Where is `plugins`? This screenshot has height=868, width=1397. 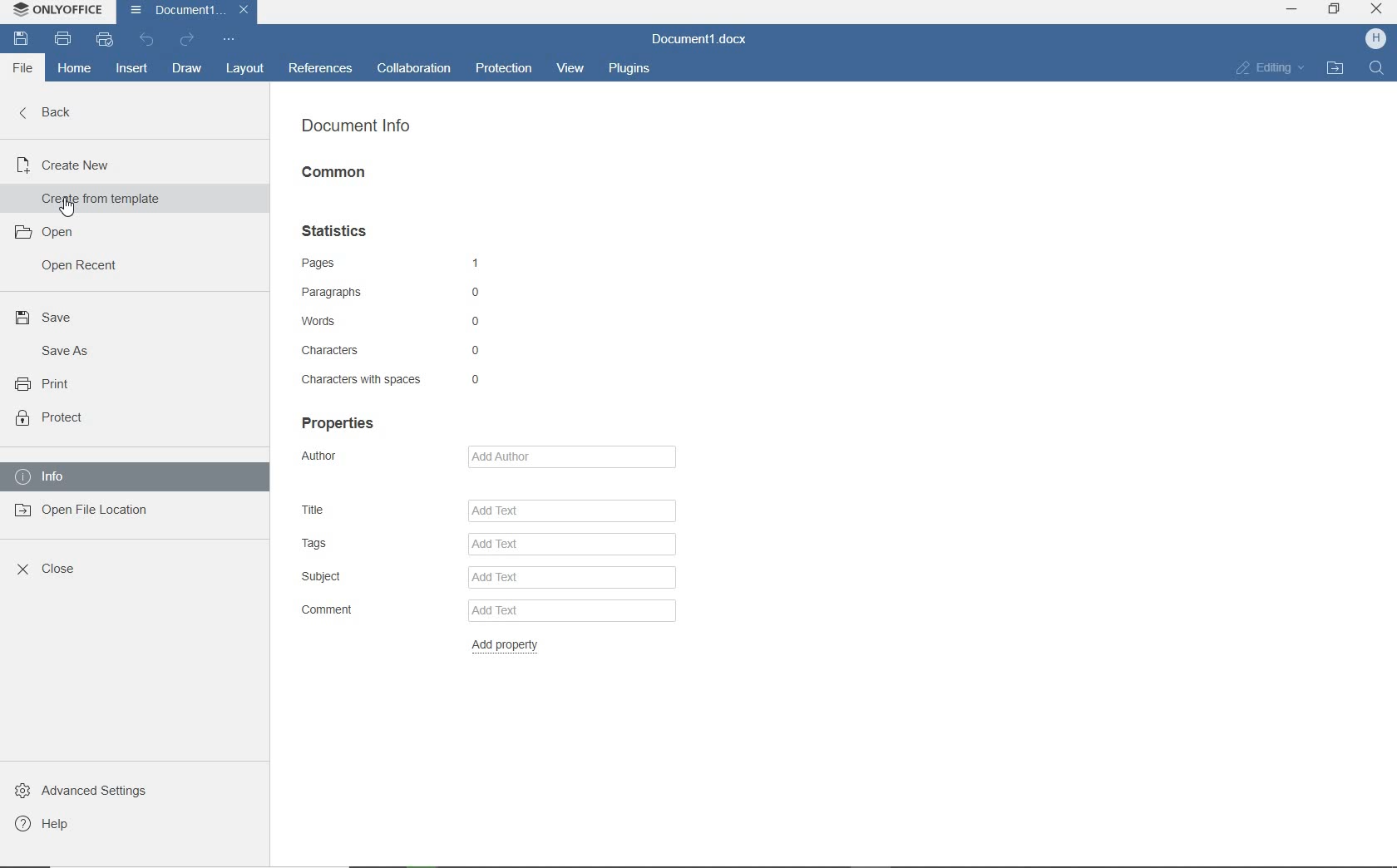
plugins is located at coordinates (631, 68).